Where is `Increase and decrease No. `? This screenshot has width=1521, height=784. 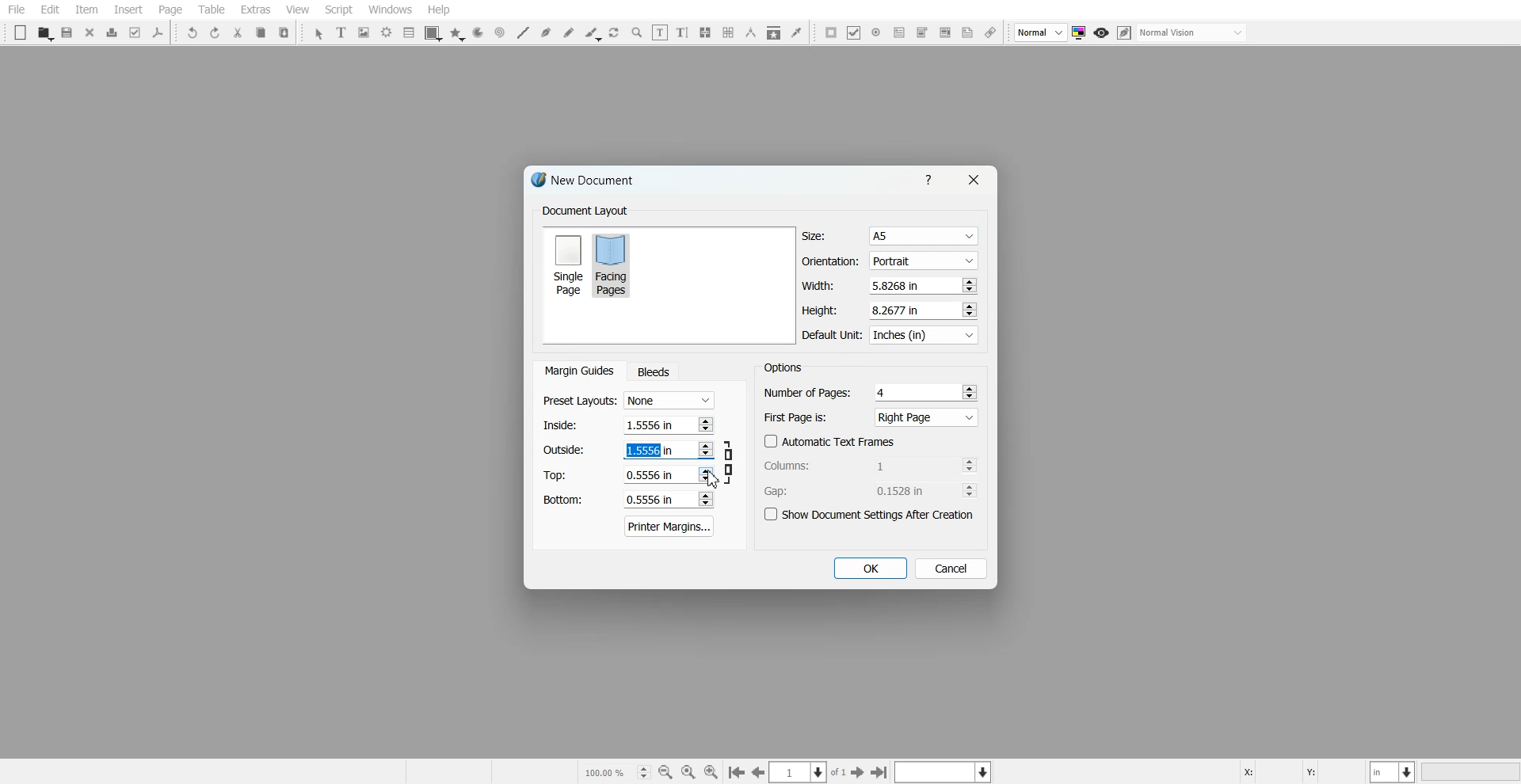 Increase and decrease No.  is located at coordinates (967, 310).